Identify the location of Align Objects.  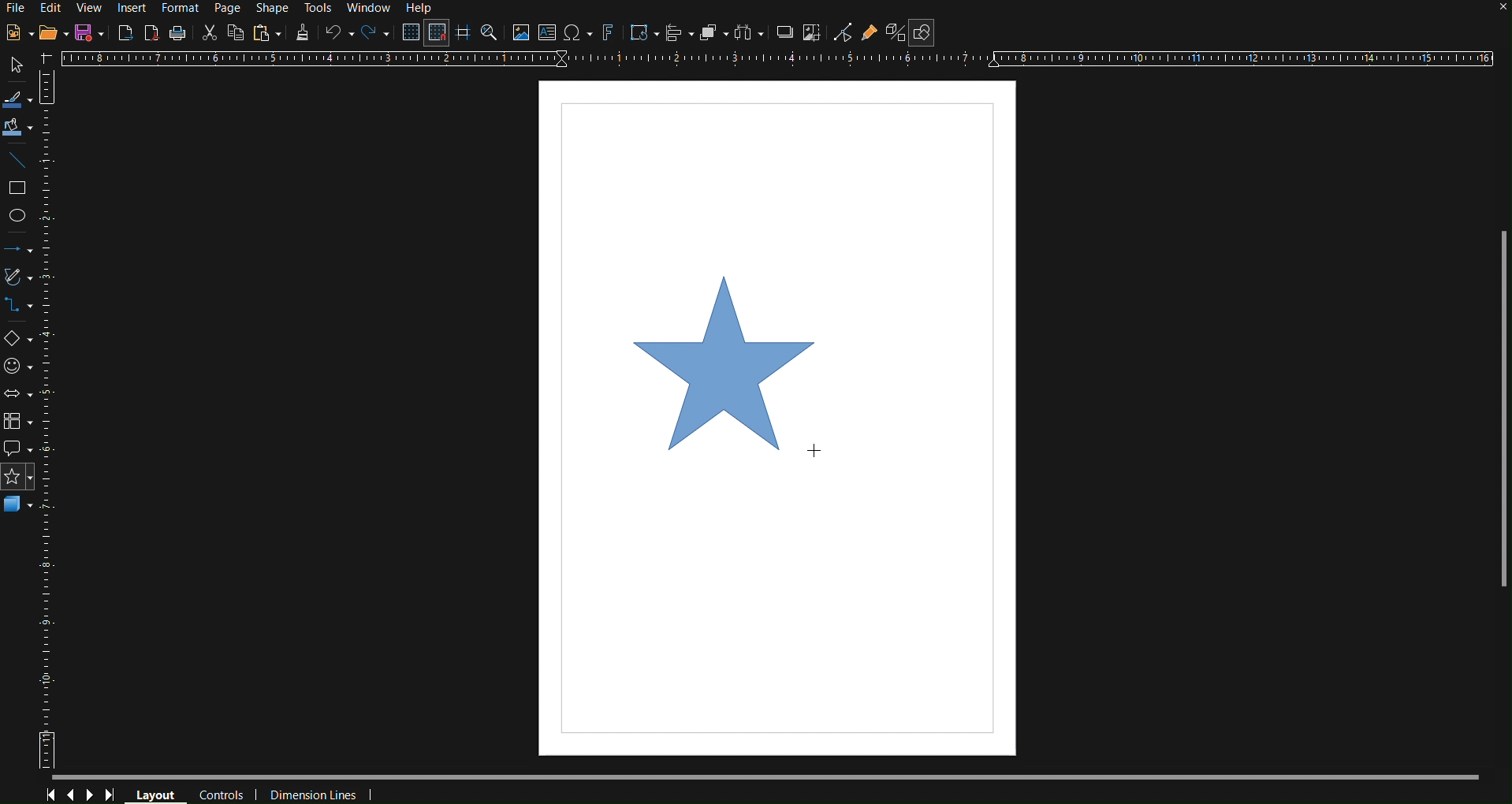
(676, 35).